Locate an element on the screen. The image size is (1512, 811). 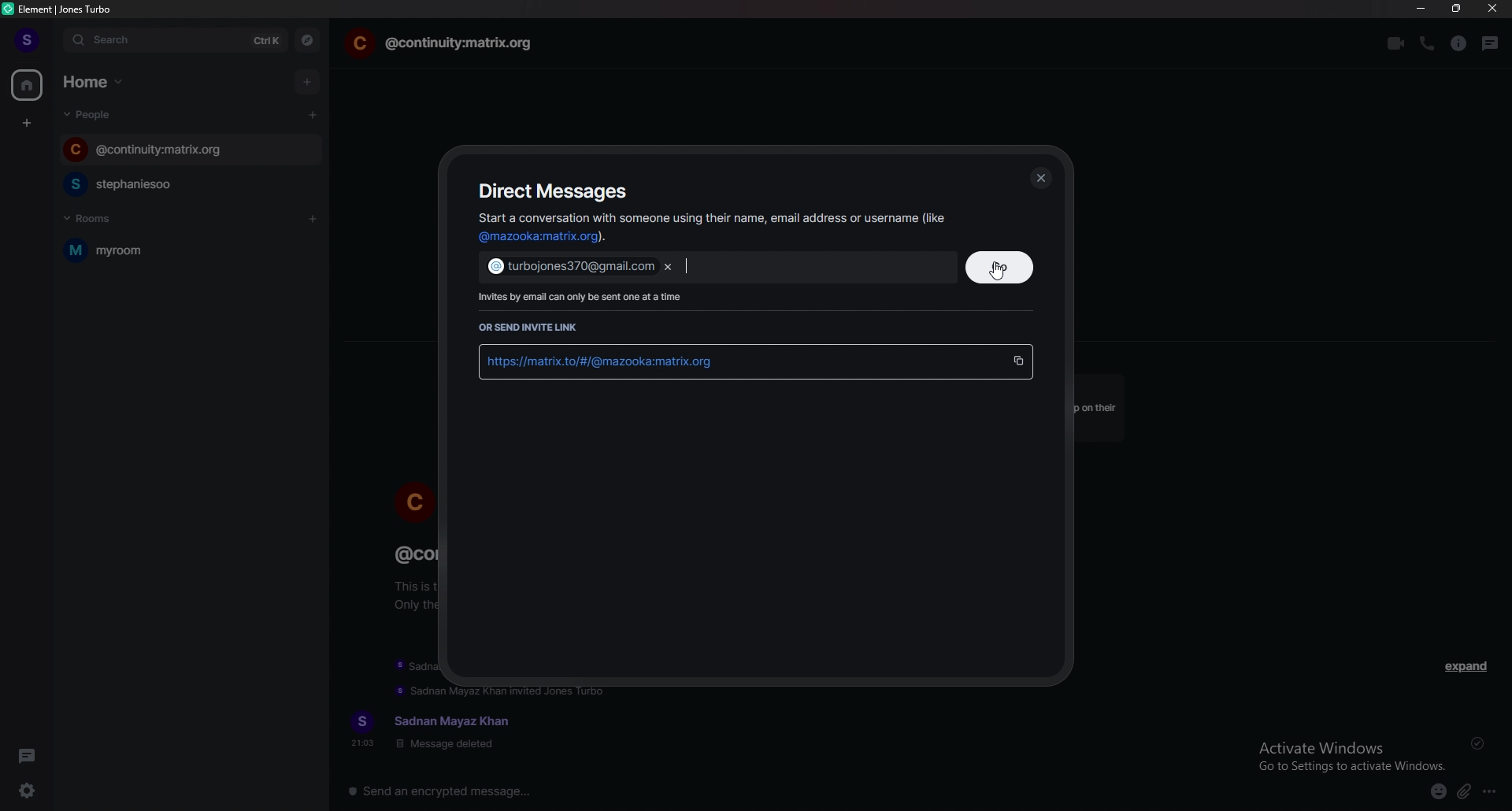
threads is located at coordinates (1491, 43).